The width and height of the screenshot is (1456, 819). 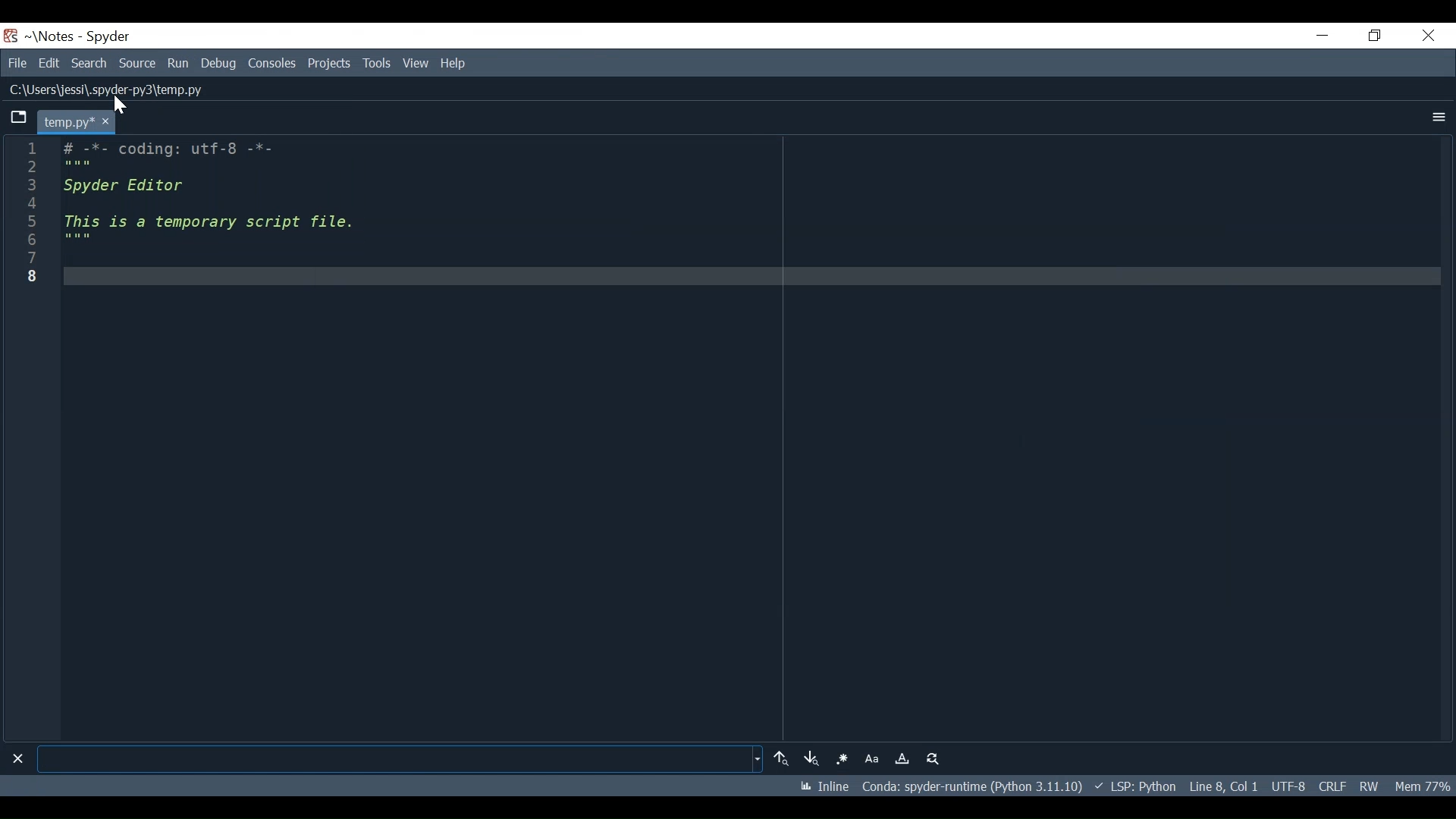 What do you see at coordinates (905, 758) in the screenshot?
I see `Only Search for Whole Words` at bounding box center [905, 758].